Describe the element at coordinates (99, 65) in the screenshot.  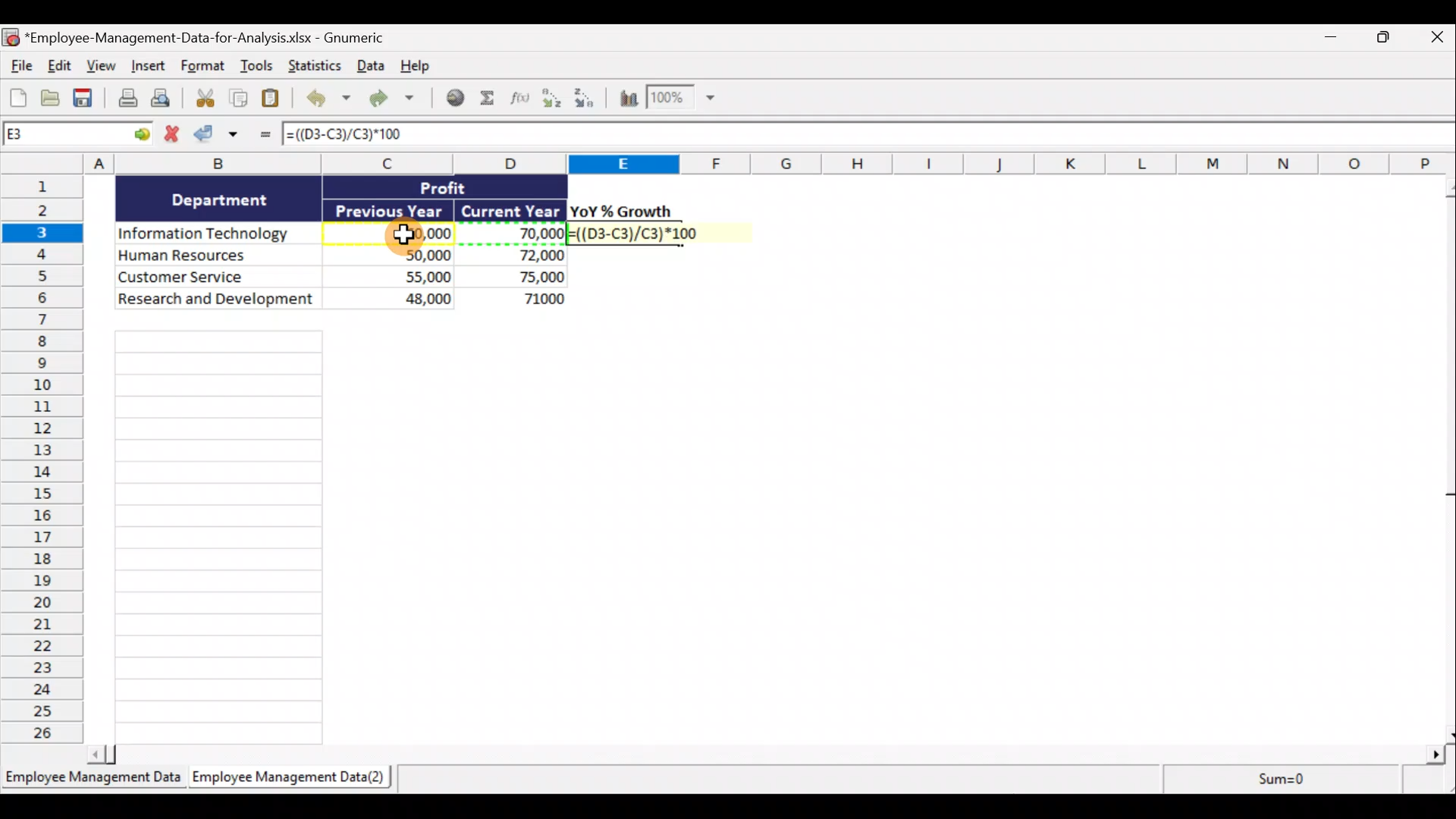
I see `View` at that location.